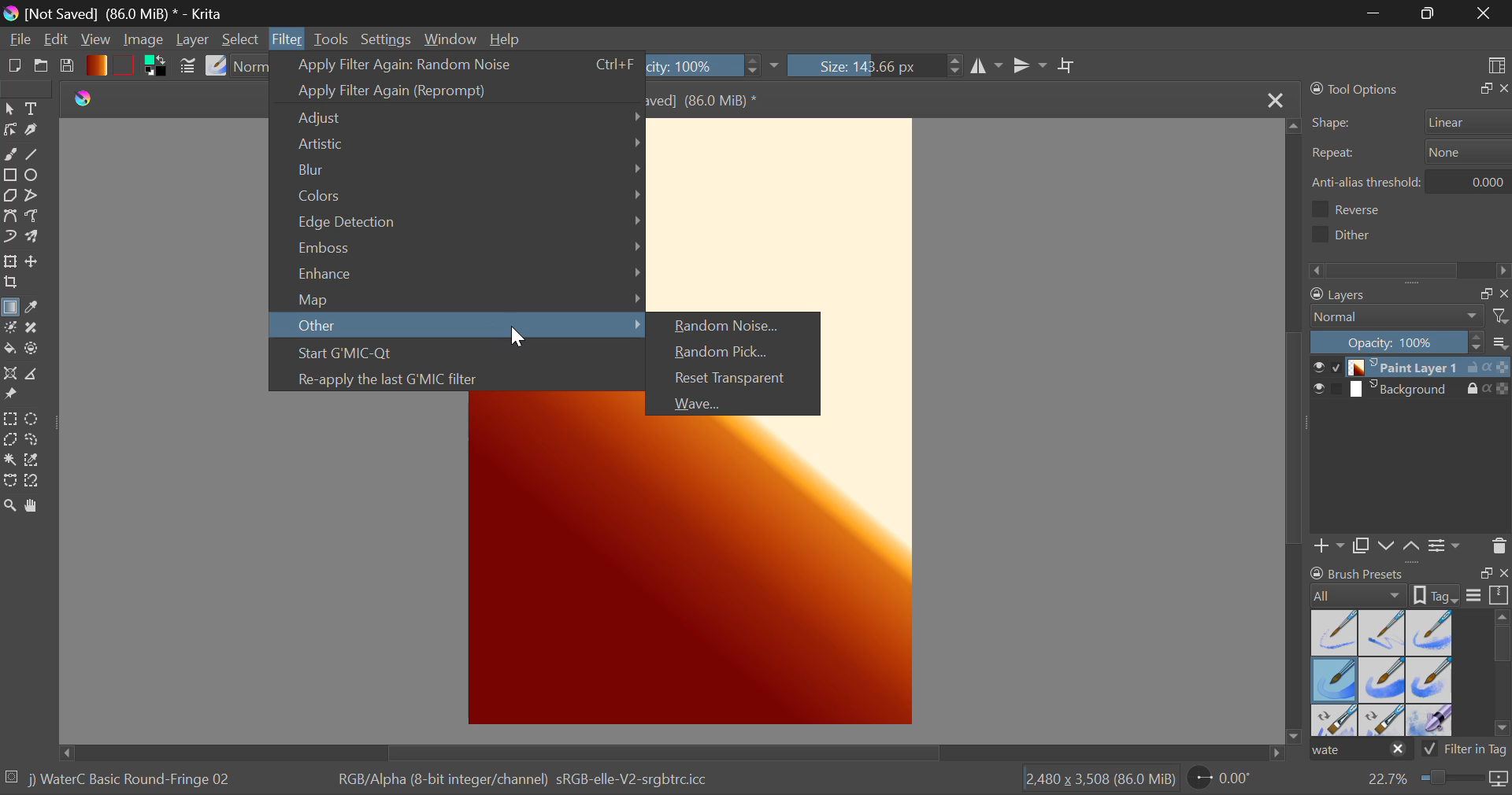 The width and height of the screenshot is (1512, 795). Describe the element at coordinates (1367, 182) in the screenshot. I see `Anti-alias threshhold:` at that location.